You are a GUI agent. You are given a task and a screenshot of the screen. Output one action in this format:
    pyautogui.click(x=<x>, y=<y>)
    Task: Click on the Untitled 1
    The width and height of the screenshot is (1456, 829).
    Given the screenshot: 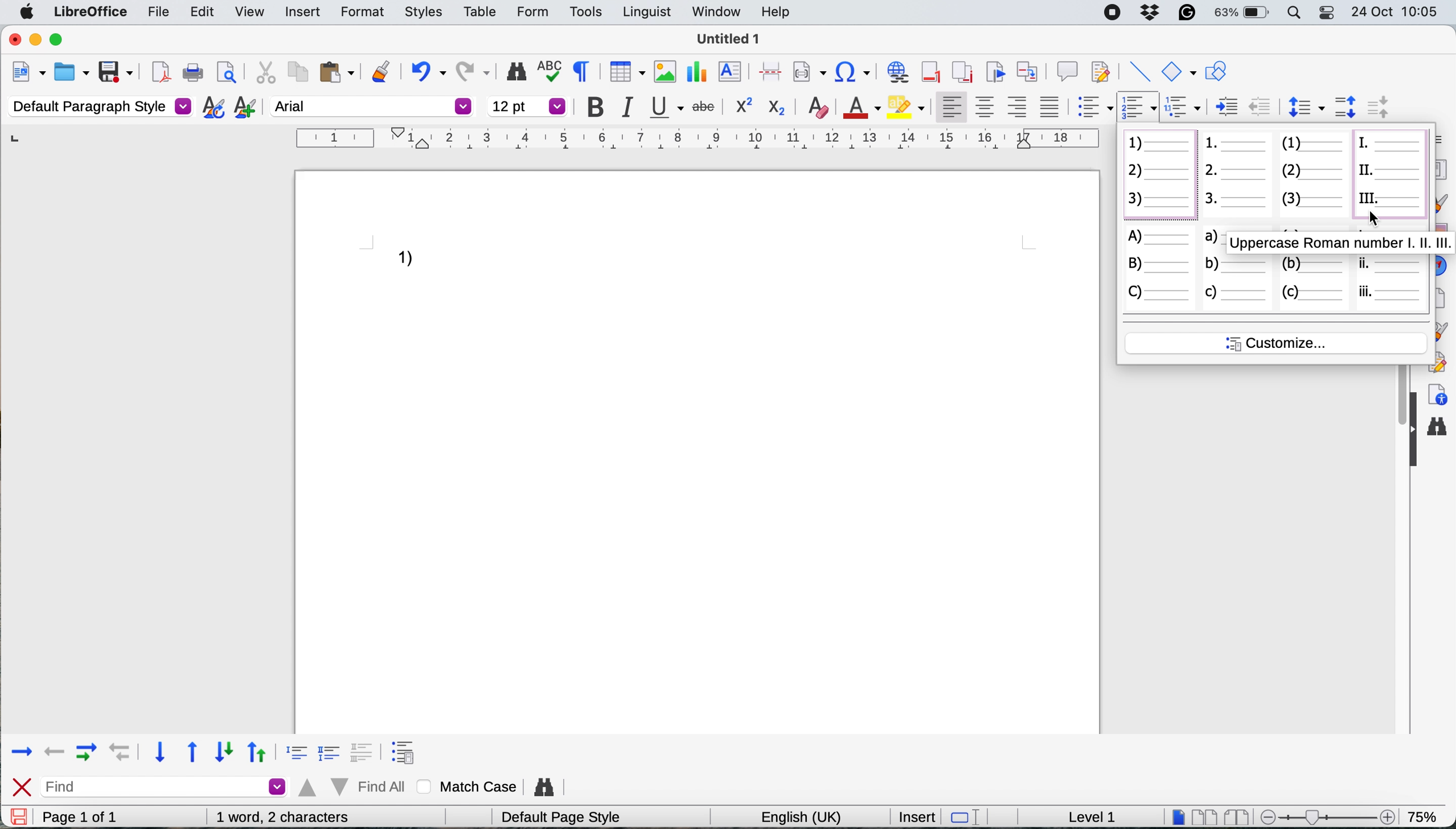 What is the action you would take?
    pyautogui.click(x=728, y=39)
    